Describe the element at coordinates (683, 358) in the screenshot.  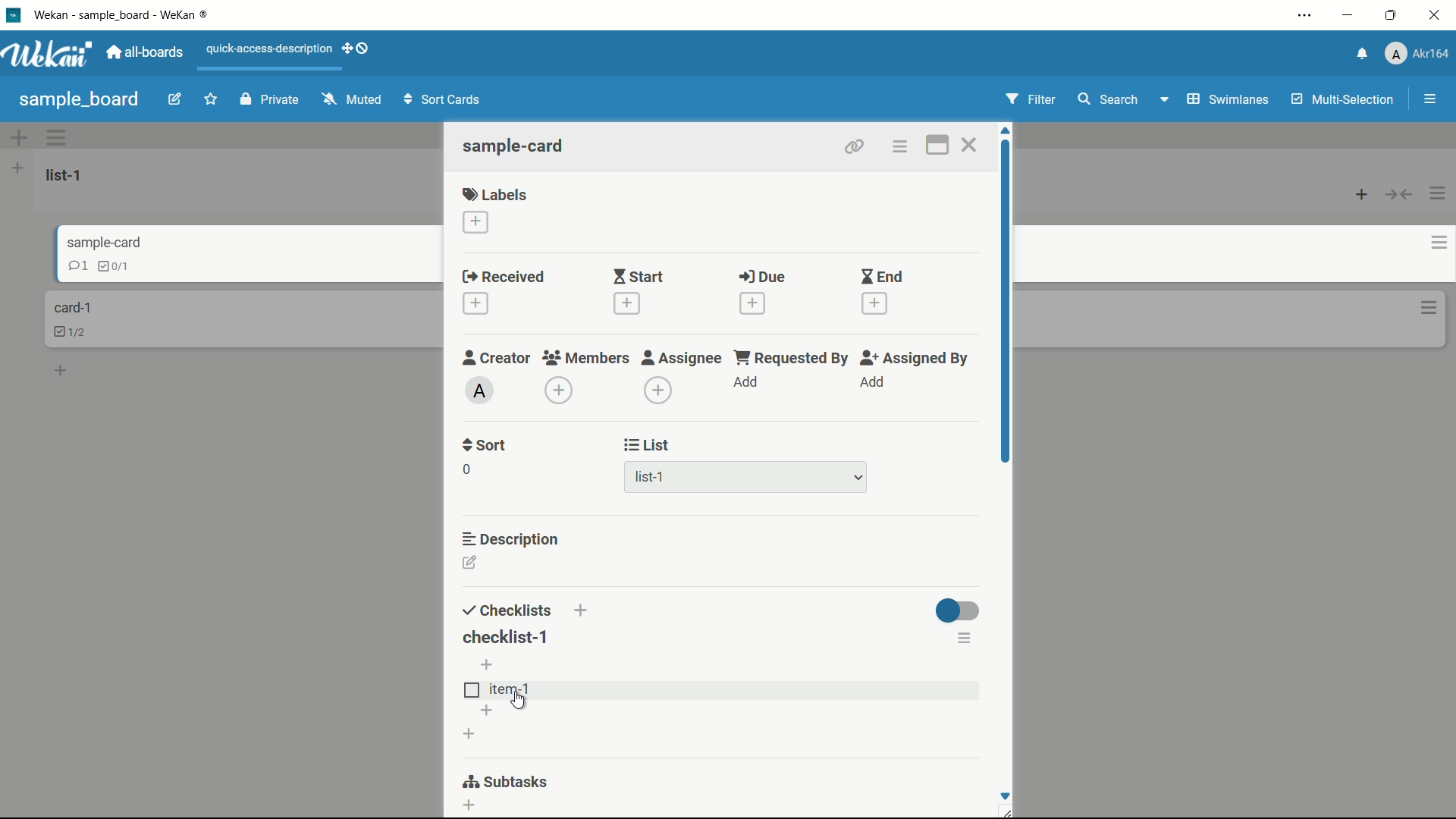
I see `assignee` at that location.